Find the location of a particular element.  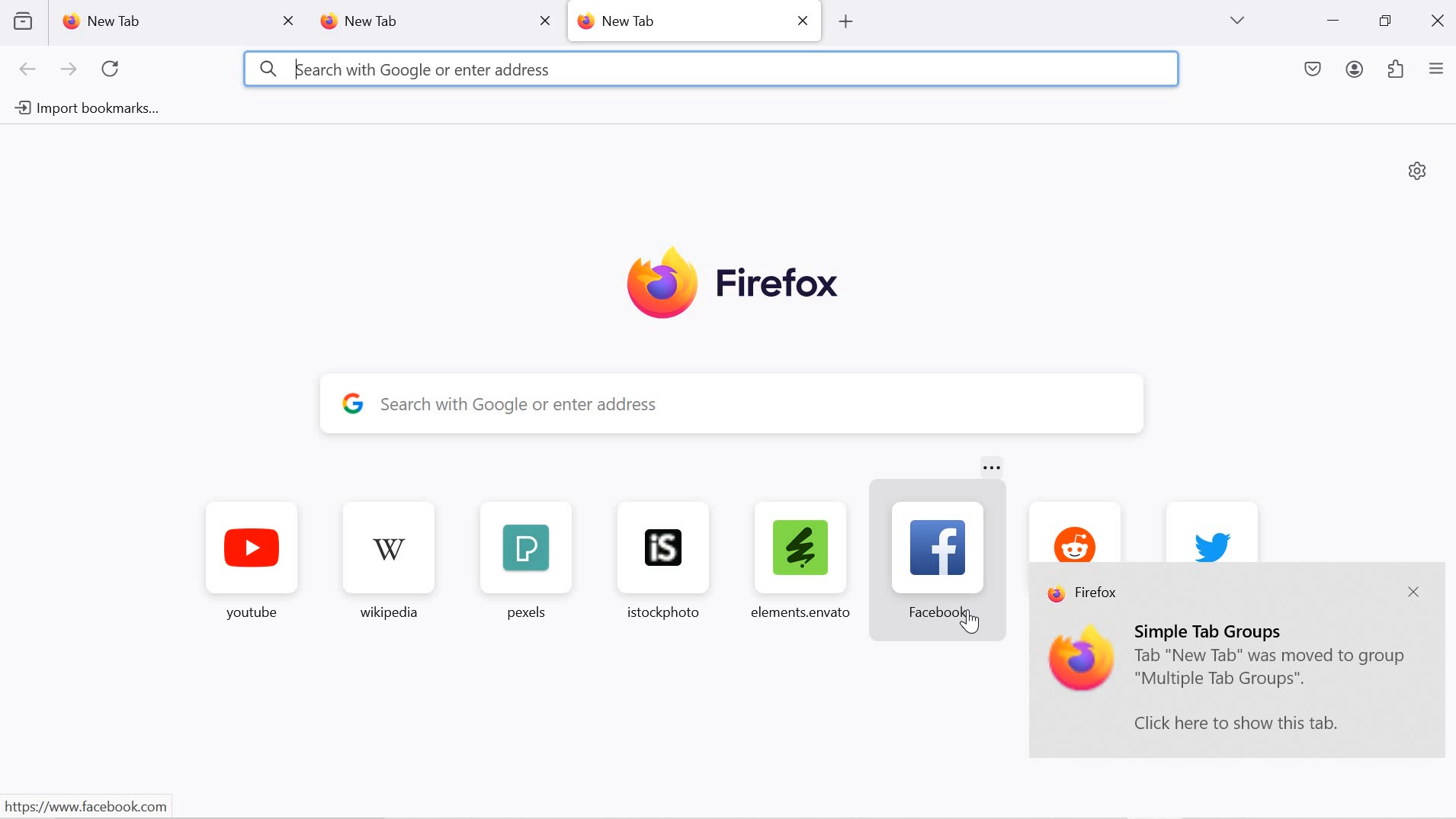

close tab is located at coordinates (290, 21).